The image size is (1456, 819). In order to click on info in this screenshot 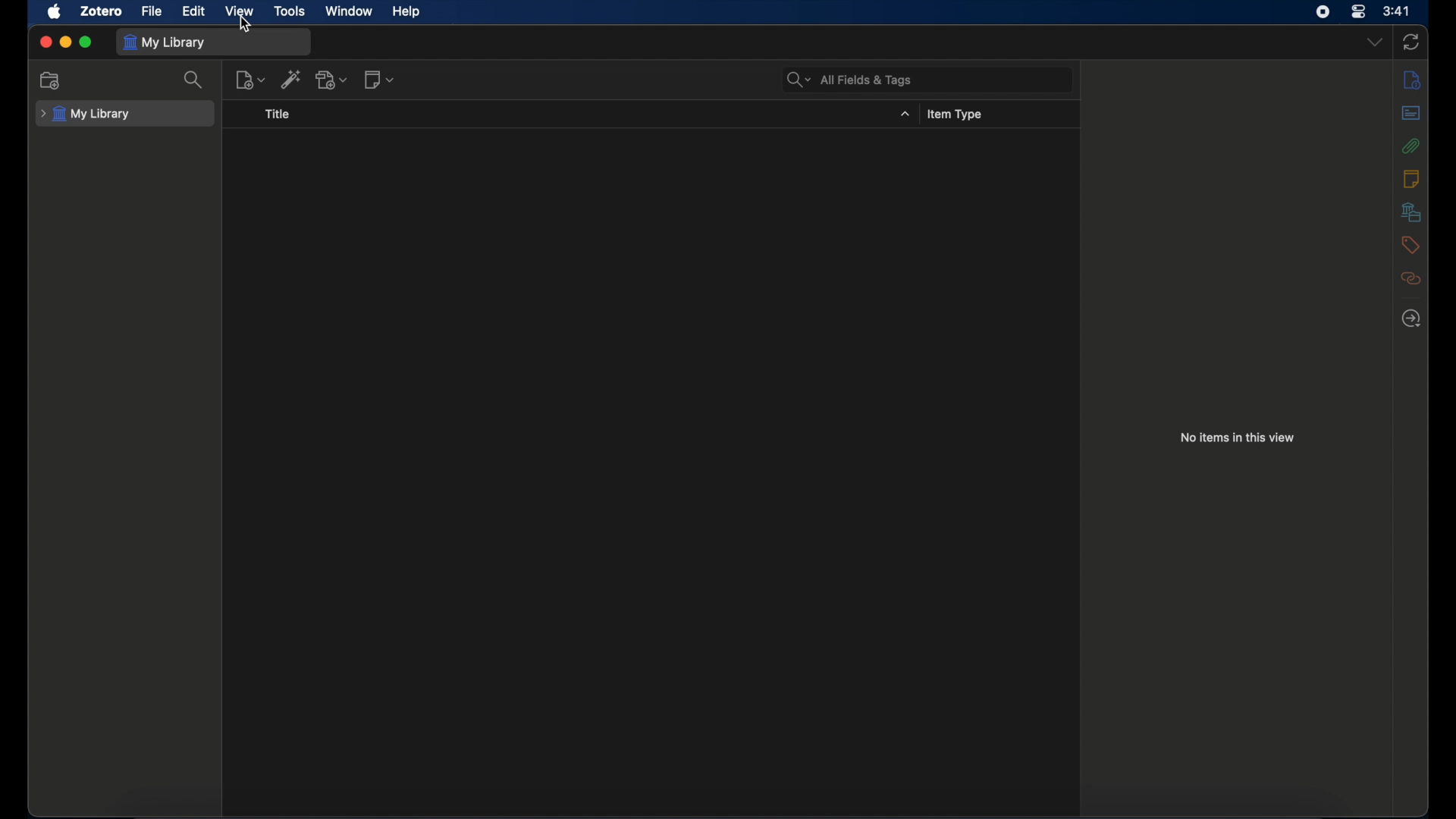, I will do `click(1411, 80)`.